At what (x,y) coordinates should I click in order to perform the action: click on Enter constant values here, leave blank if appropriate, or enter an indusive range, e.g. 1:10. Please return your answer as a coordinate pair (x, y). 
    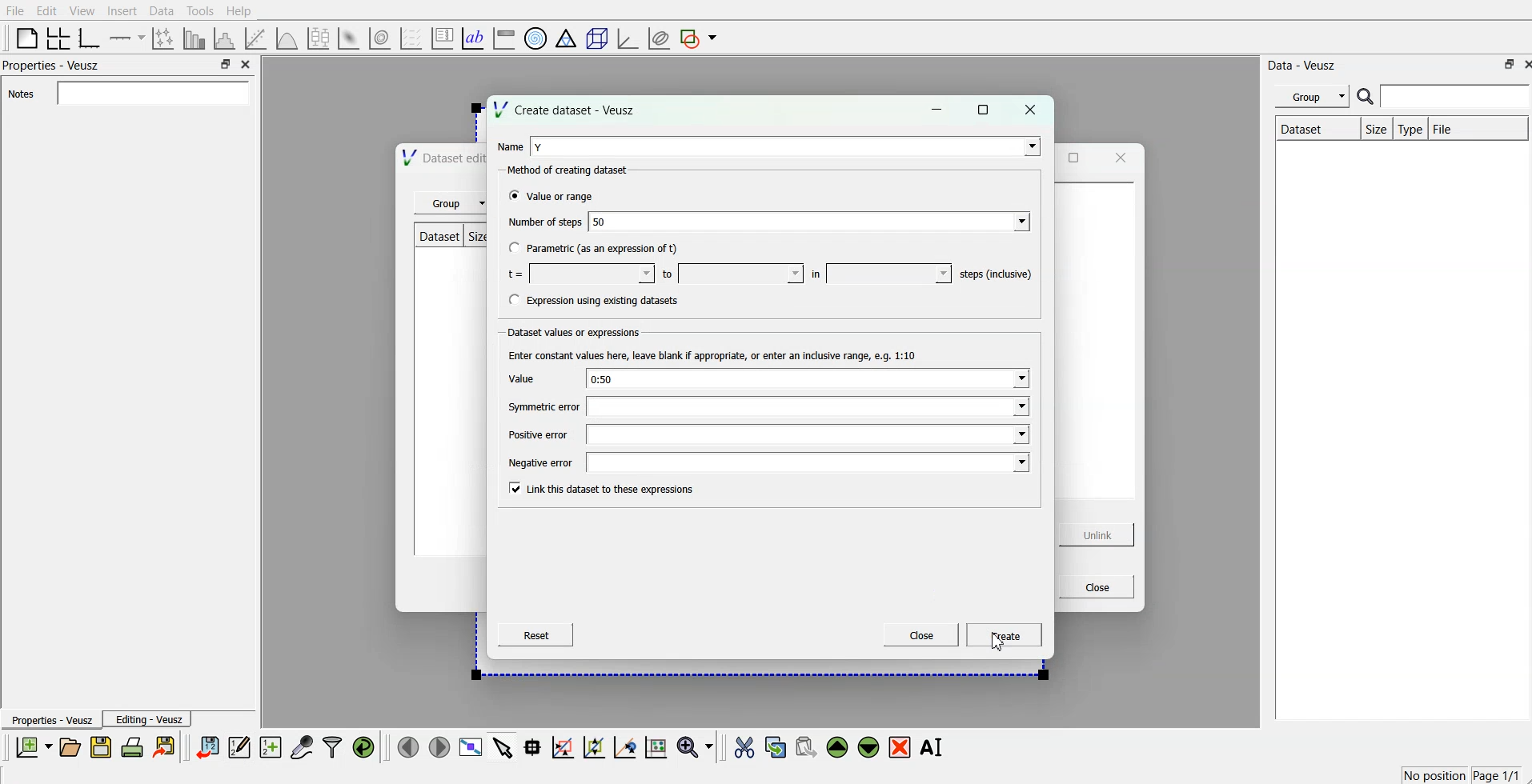
    Looking at the image, I should click on (716, 357).